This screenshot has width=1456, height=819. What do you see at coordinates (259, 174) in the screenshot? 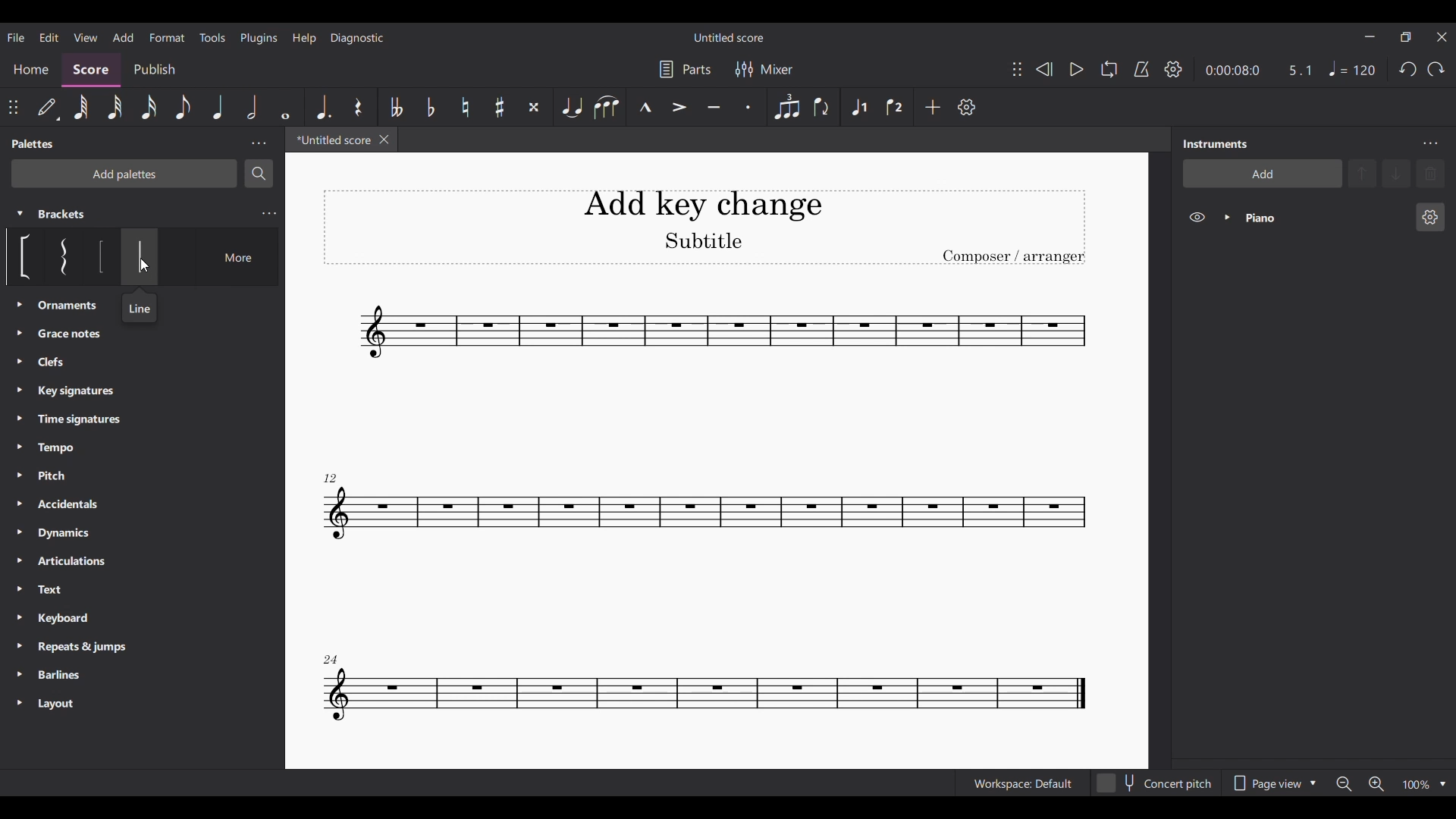
I see `Search` at bounding box center [259, 174].